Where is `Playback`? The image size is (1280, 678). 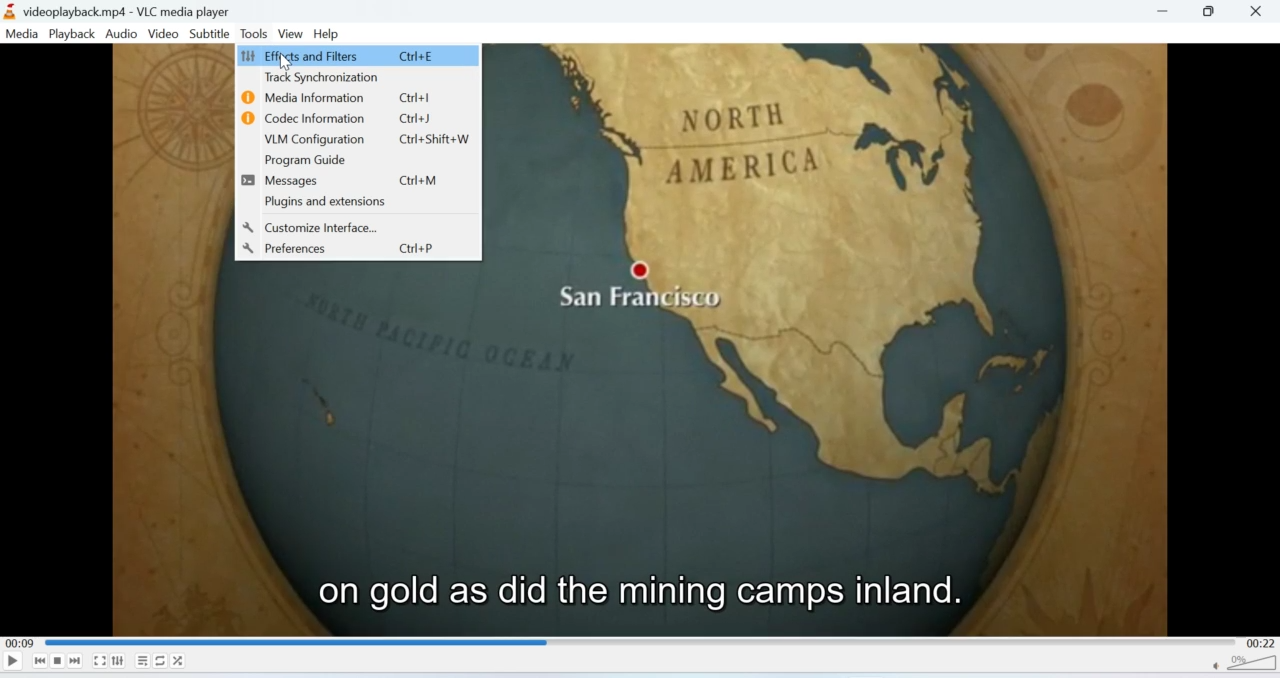
Playback is located at coordinates (70, 34).